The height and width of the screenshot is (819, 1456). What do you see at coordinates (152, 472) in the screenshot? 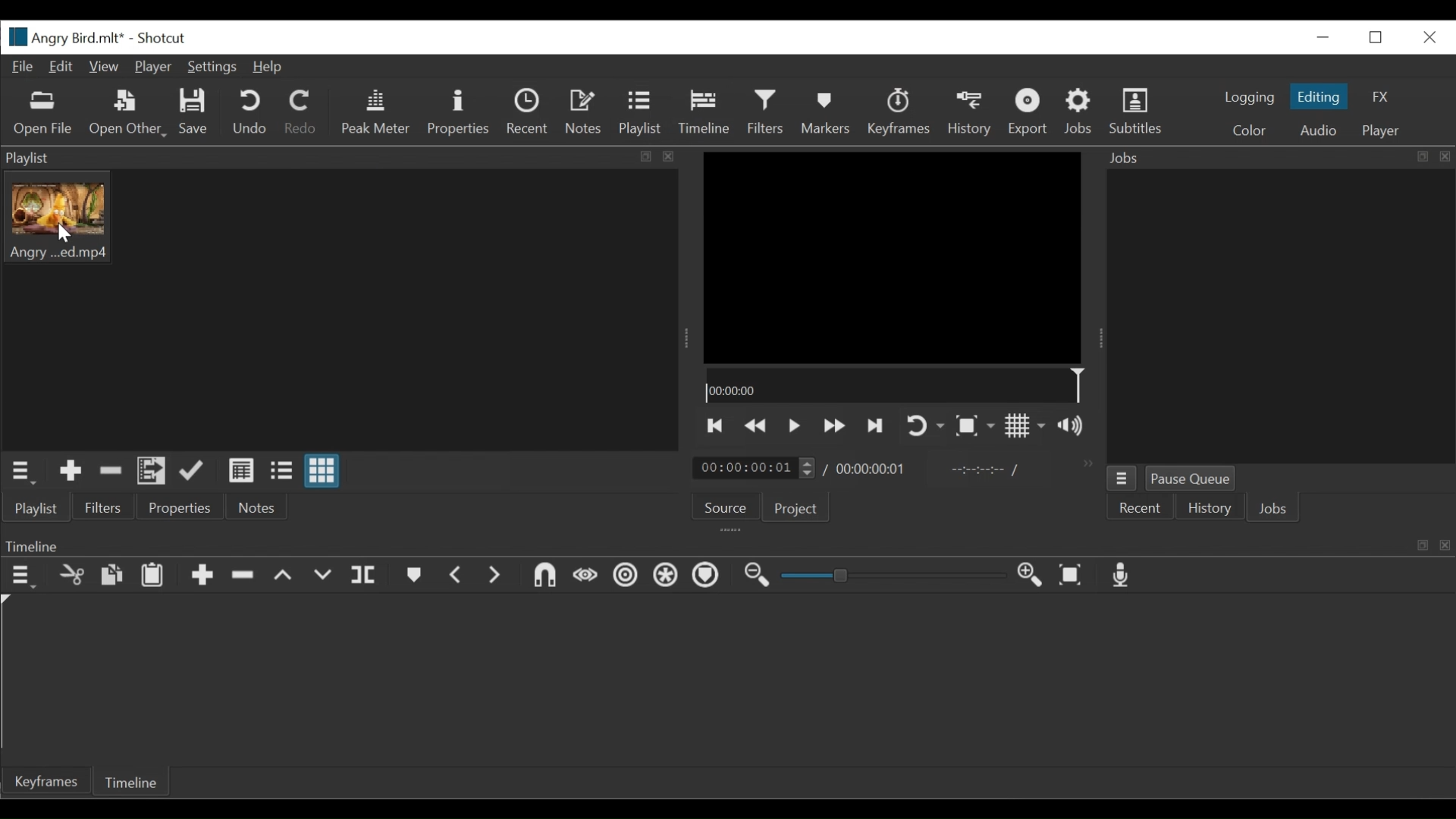
I see `Add files to the playlist` at bounding box center [152, 472].